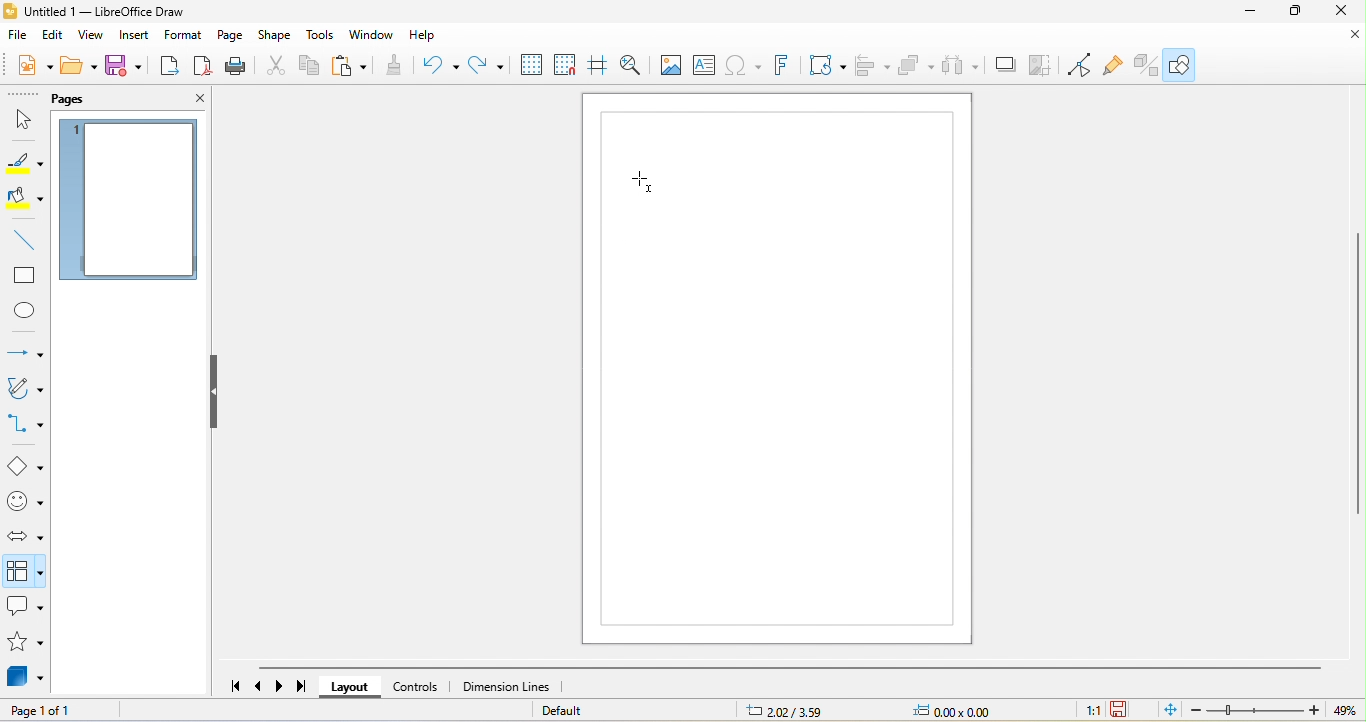  Describe the element at coordinates (1256, 709) in the screenshot. I see `zoom` at that location.